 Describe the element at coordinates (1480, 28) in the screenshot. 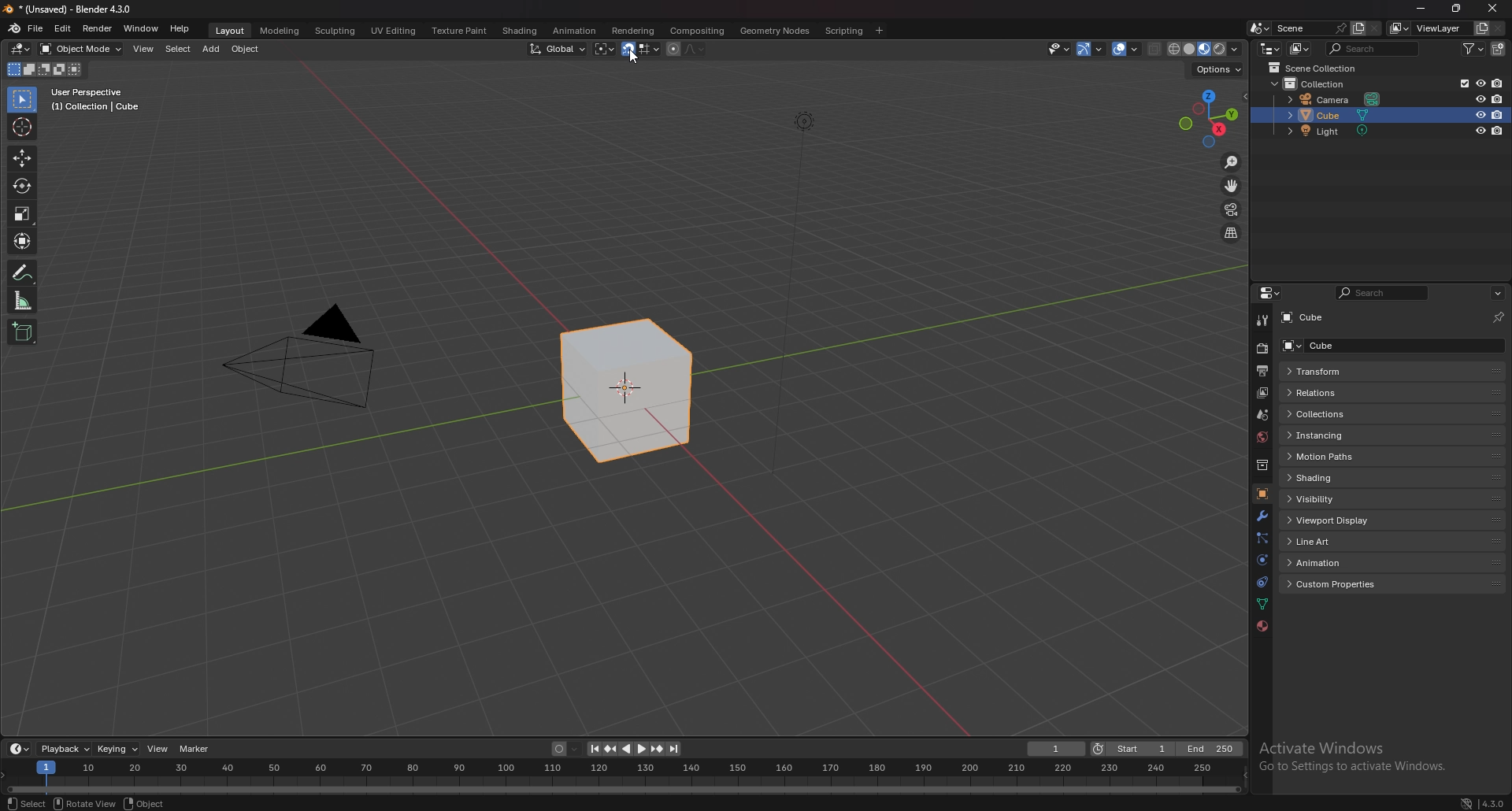

I see `add view layer` at that location.